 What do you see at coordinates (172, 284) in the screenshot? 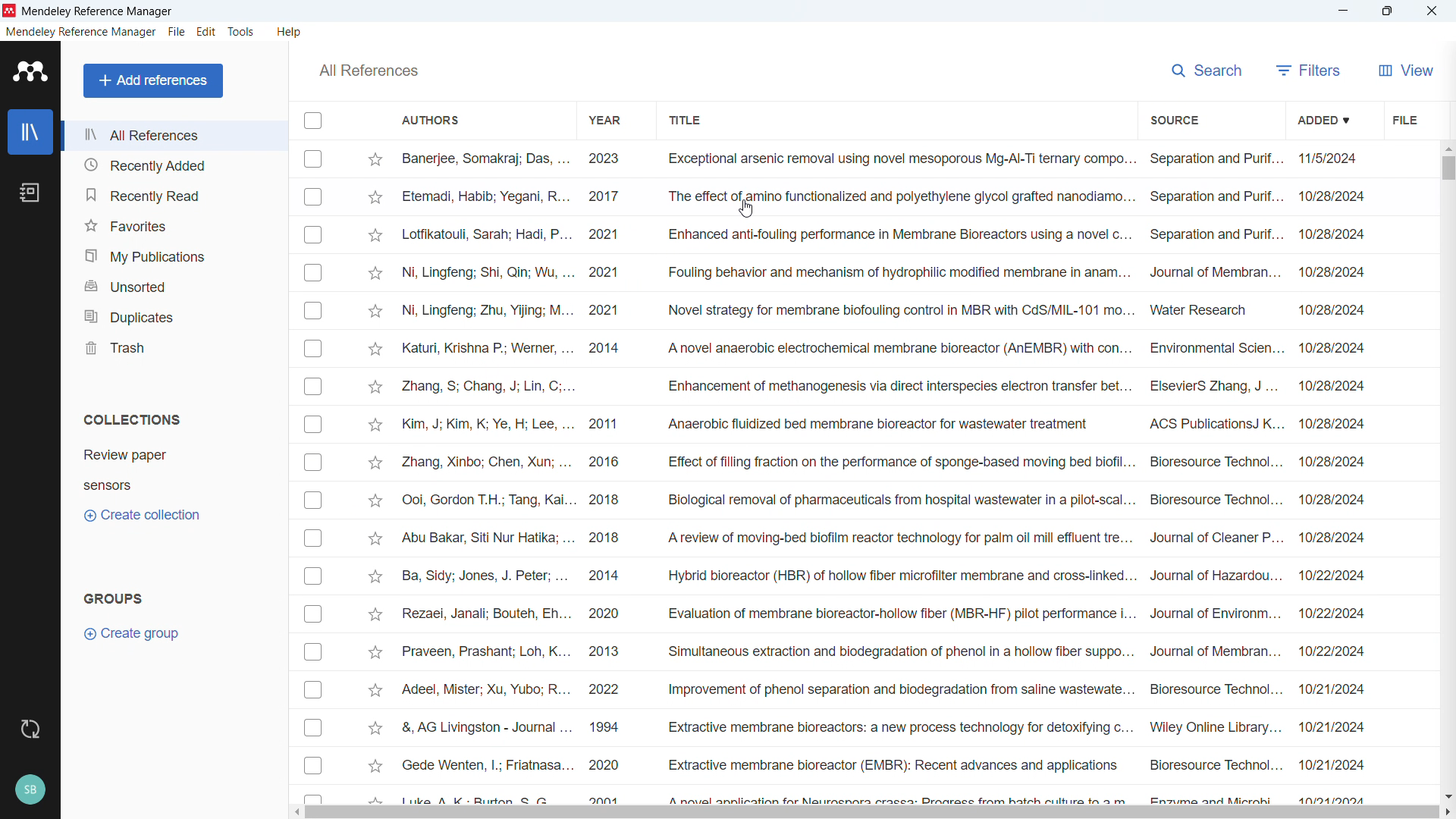
I see `Unsorted ` at bounding box center [172, 284].